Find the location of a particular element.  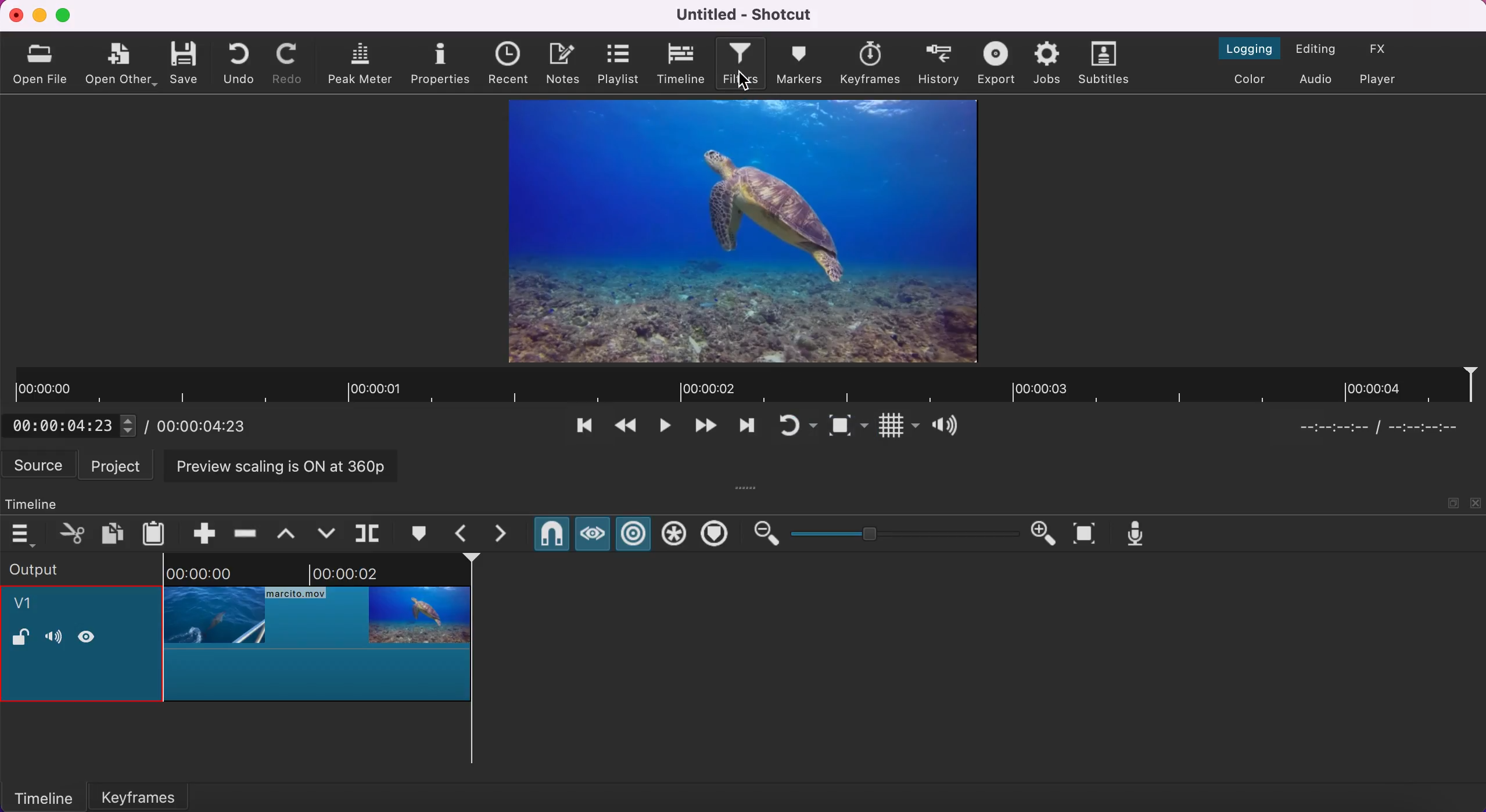

ripple markers is located at coordinates (717, 535).